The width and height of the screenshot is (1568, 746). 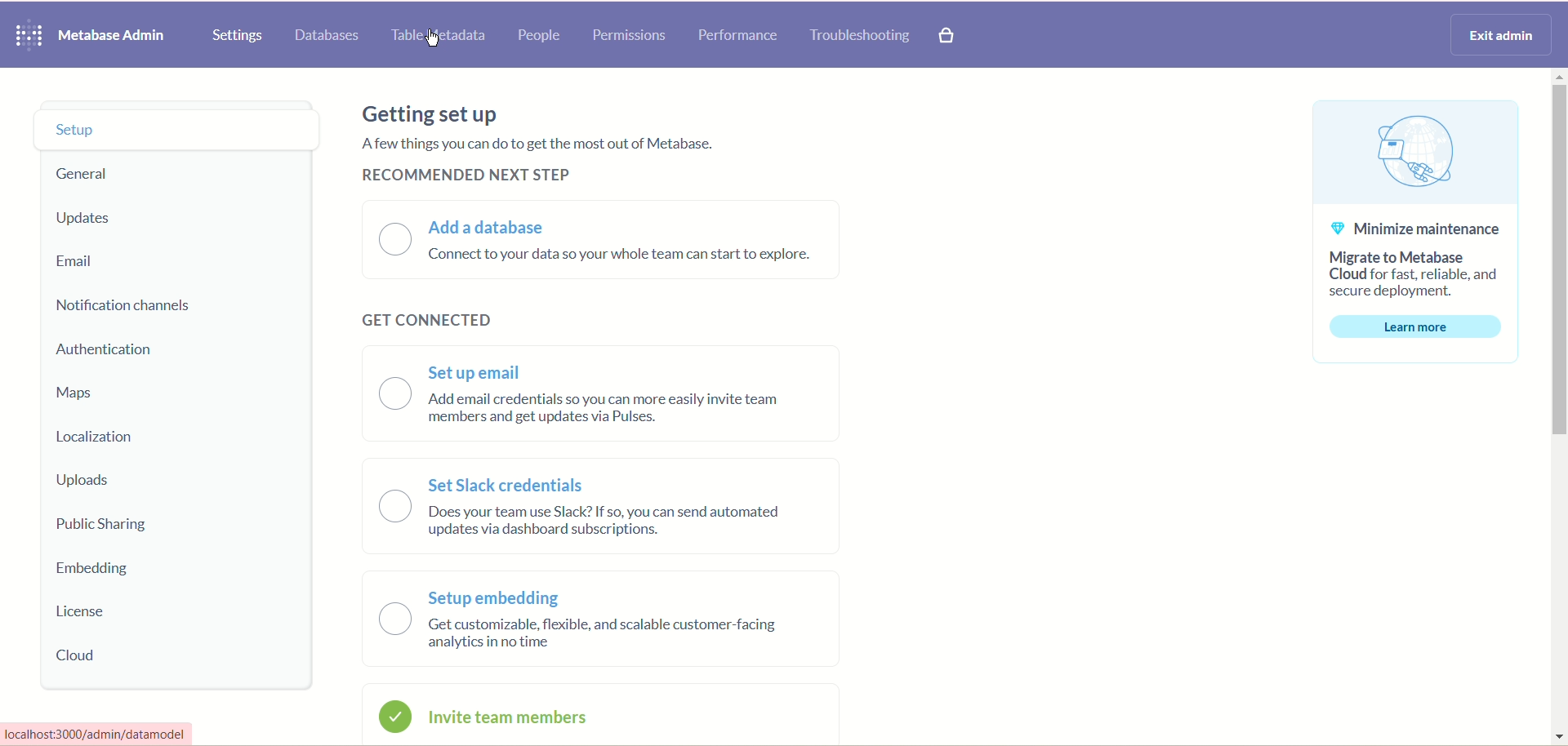 What do you see at coordinates (91, 437) in the screenshot?
I see `localization` at bounding box center [91, 437].